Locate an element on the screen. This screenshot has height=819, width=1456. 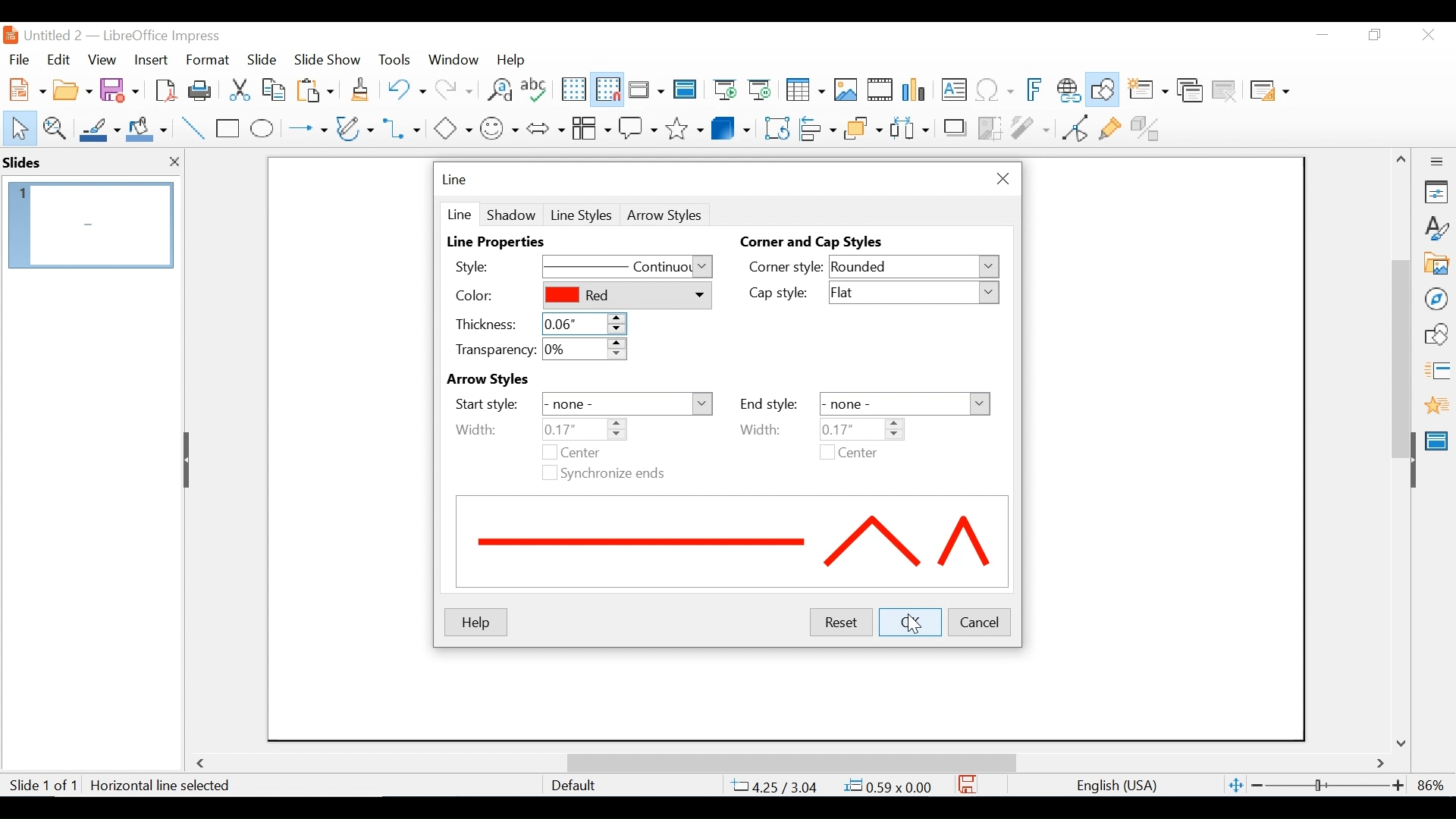
Scroll Left is located at coordinates (203, 764).